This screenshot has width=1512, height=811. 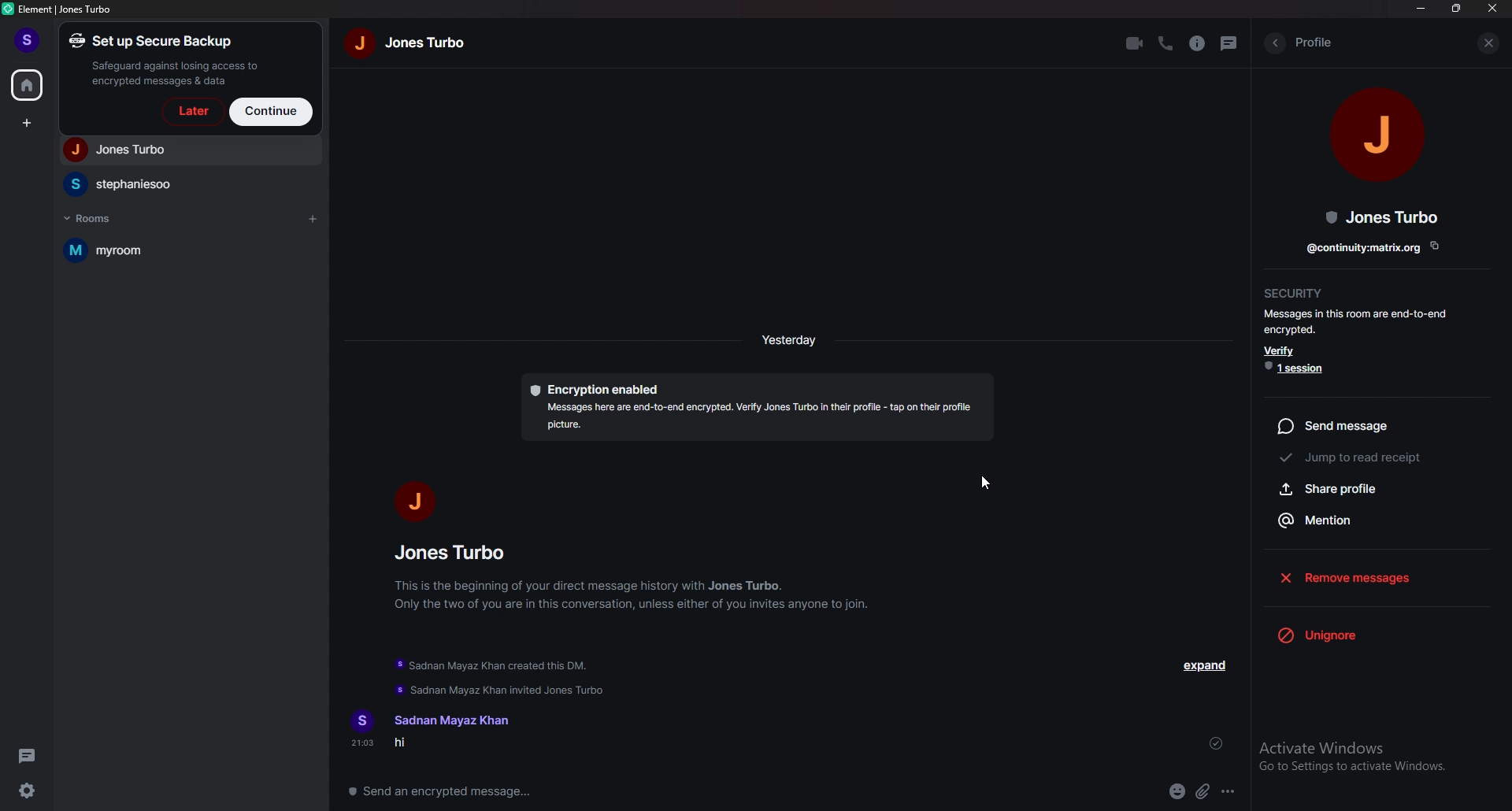 I want to click on security, so click(x=1295, y=291).